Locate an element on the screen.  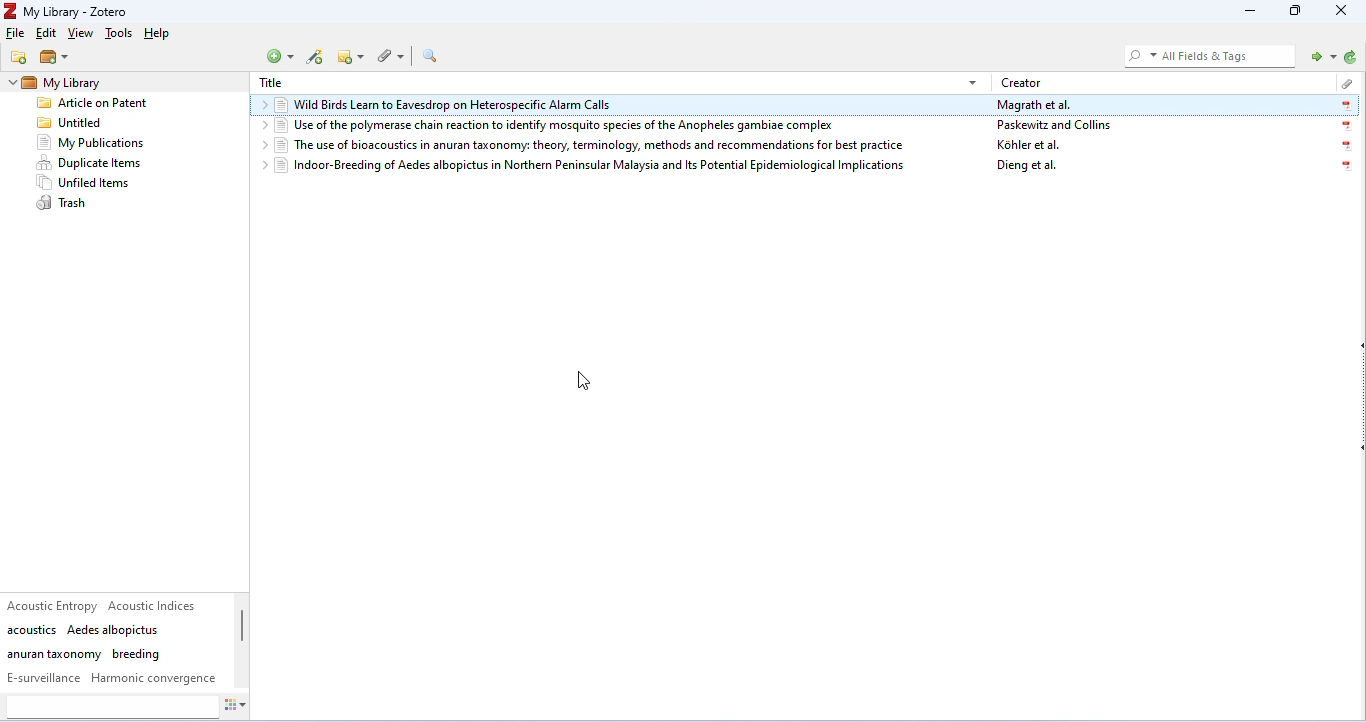
drop down is located at coordinates (260, 126).